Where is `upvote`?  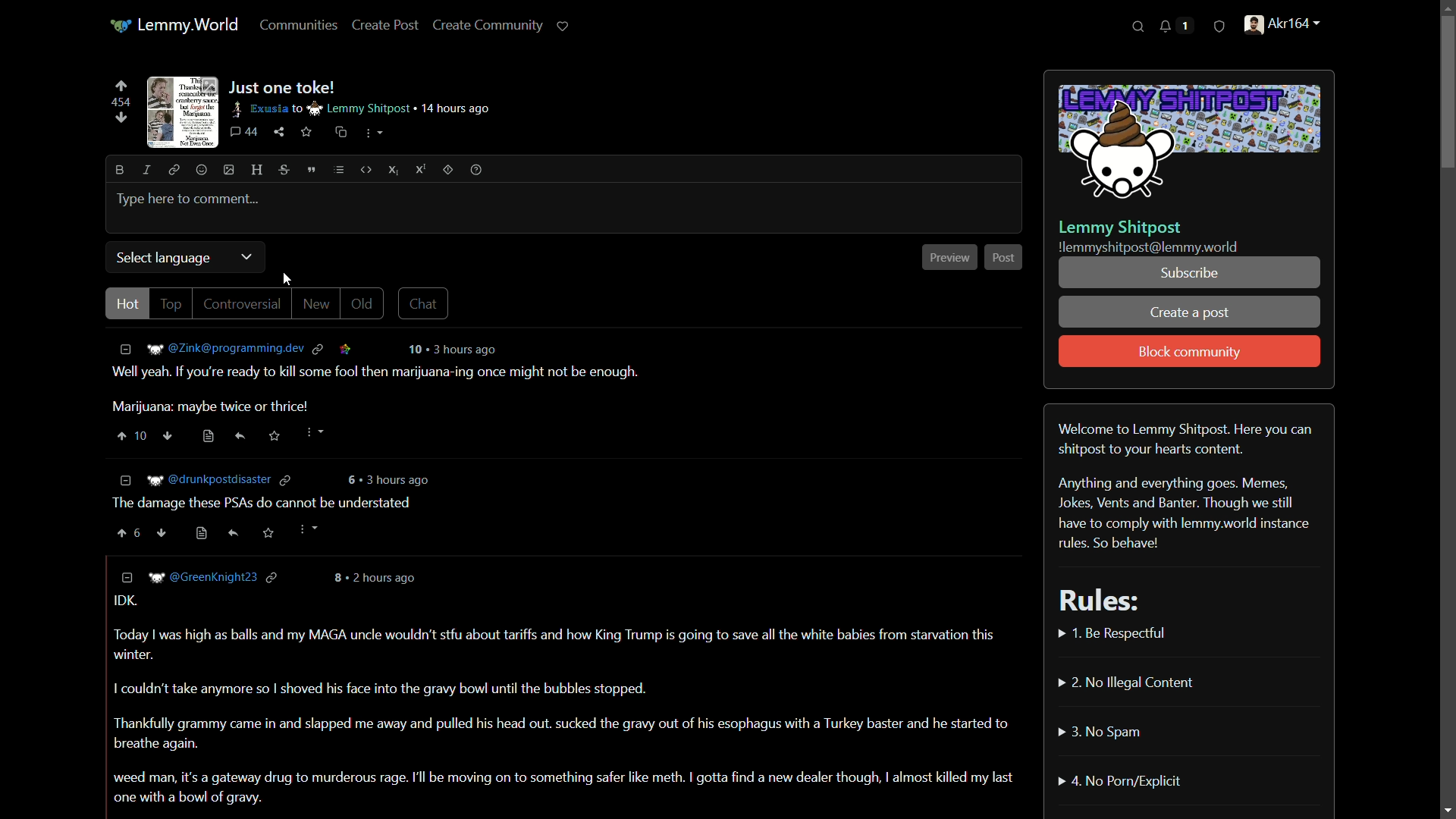 upvote is located at coordinates (118, 436).